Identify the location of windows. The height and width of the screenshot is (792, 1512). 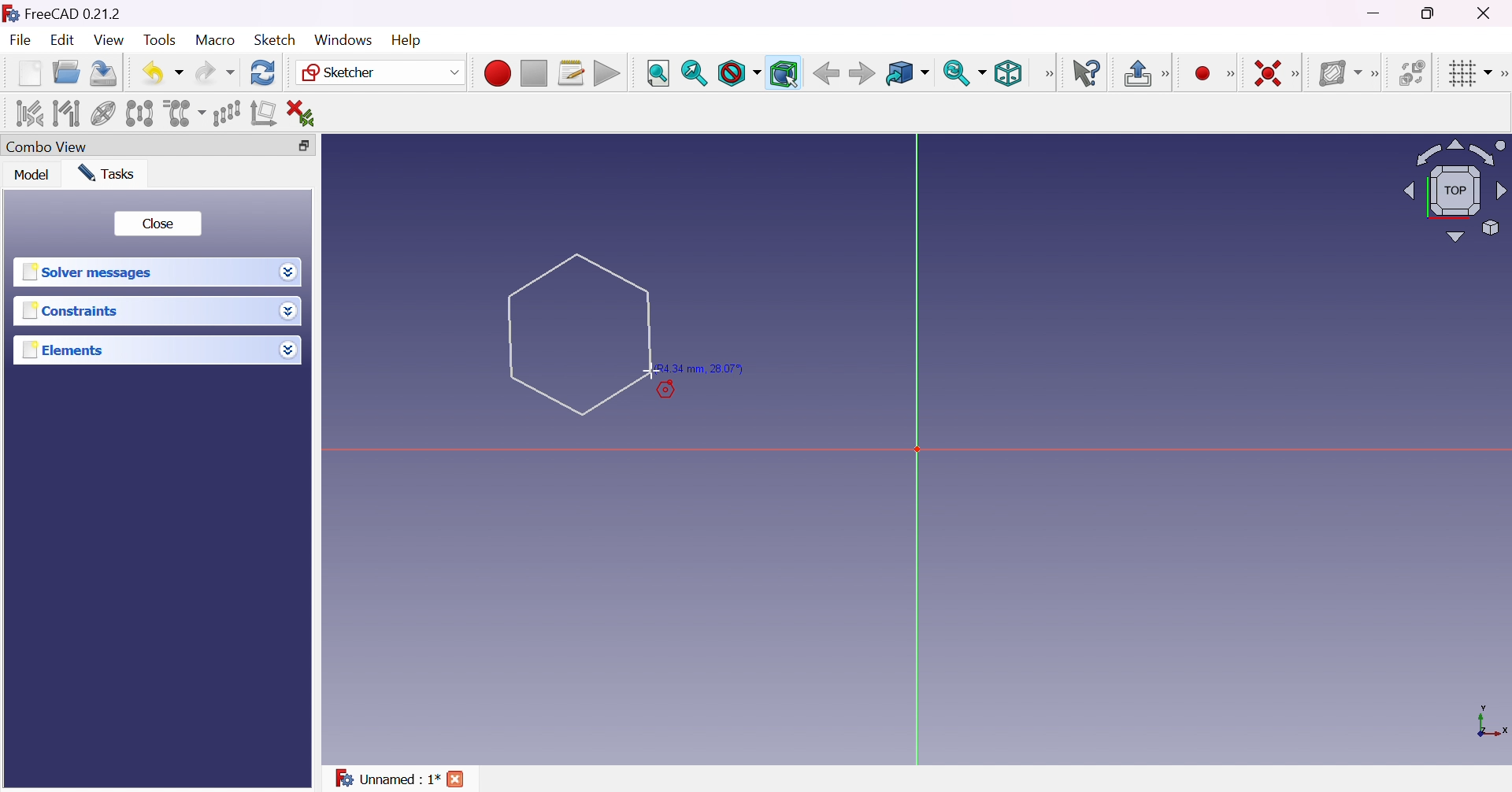
(343, 40).